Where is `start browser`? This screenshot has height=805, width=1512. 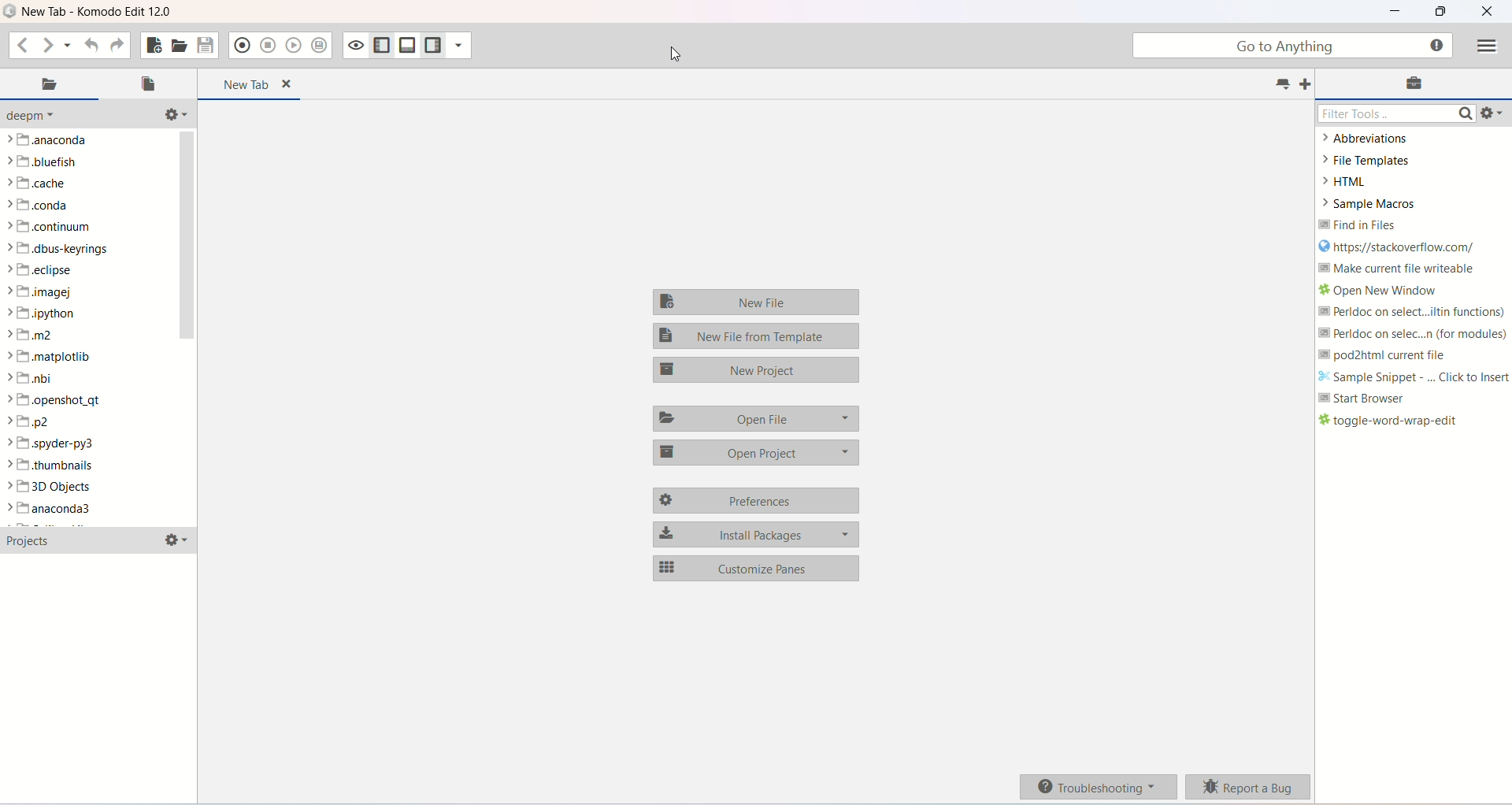 start browser is located at coordinates (1362, 398).